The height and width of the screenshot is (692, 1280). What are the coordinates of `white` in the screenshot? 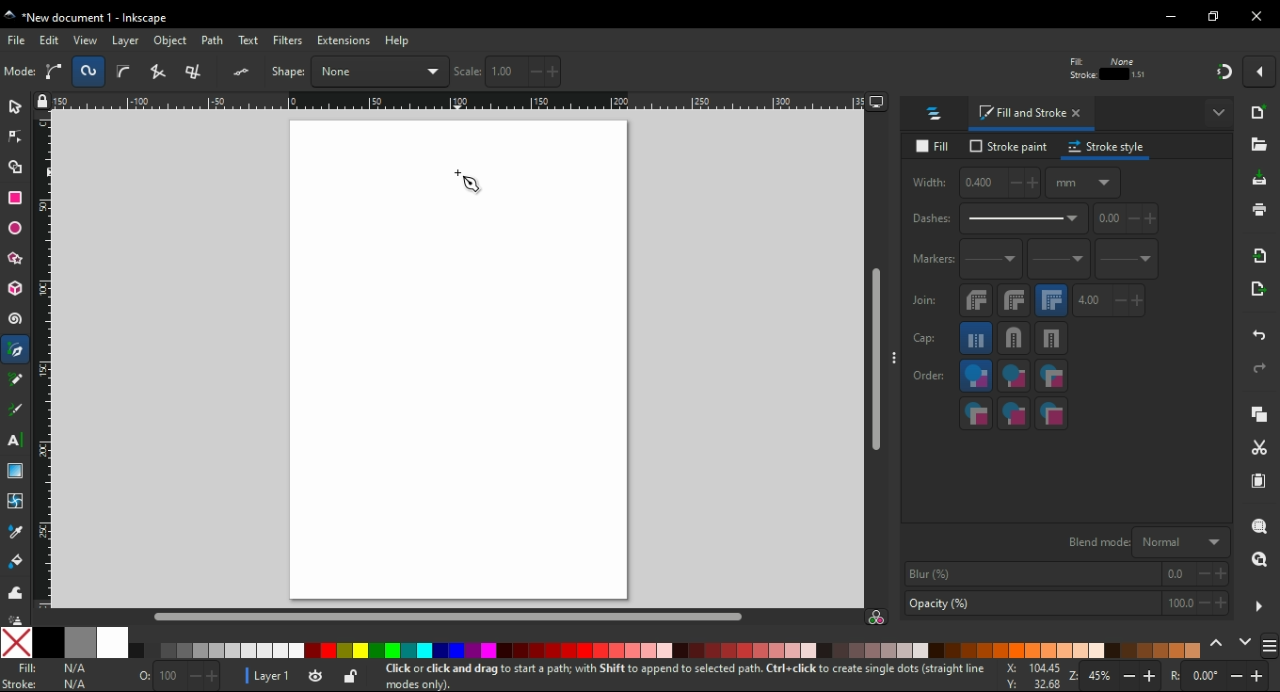 It's located at (113, 642).